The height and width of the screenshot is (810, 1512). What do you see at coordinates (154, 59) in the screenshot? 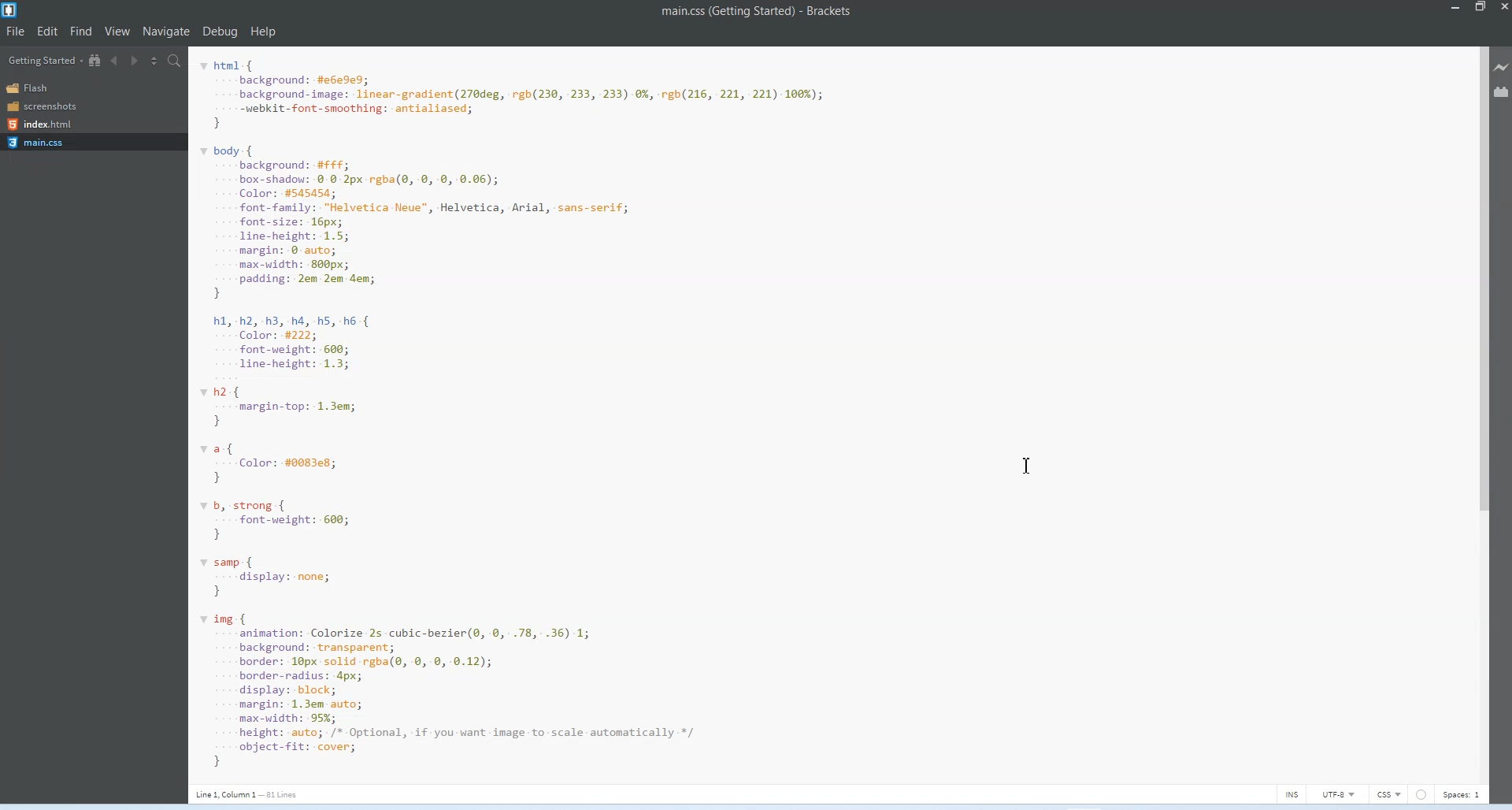
I see `Split editor vertically and Horizontally` at bounding box center [154, 59].